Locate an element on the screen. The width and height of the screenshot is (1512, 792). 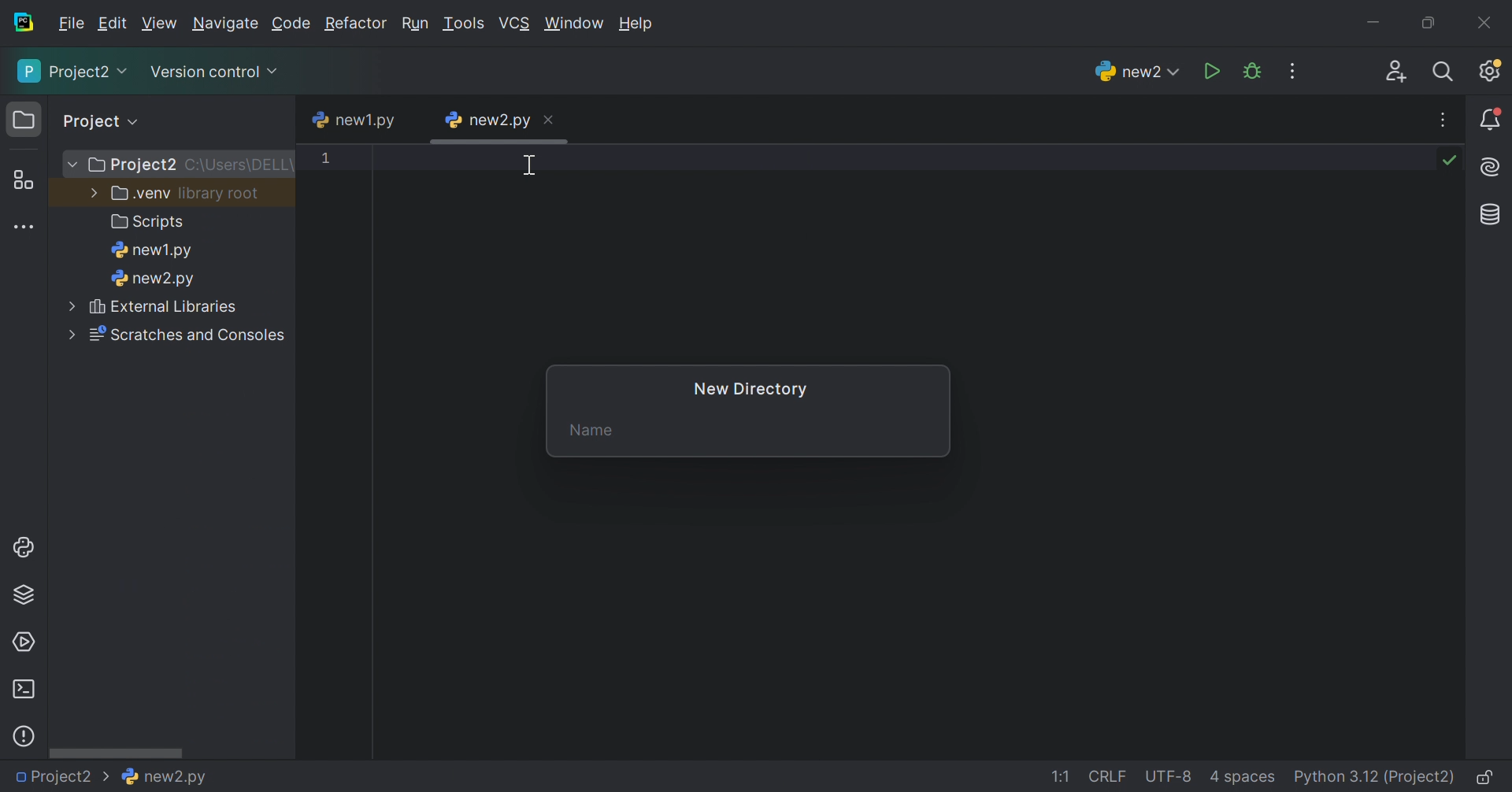
Restore down is located at coordinates (1430, 22).